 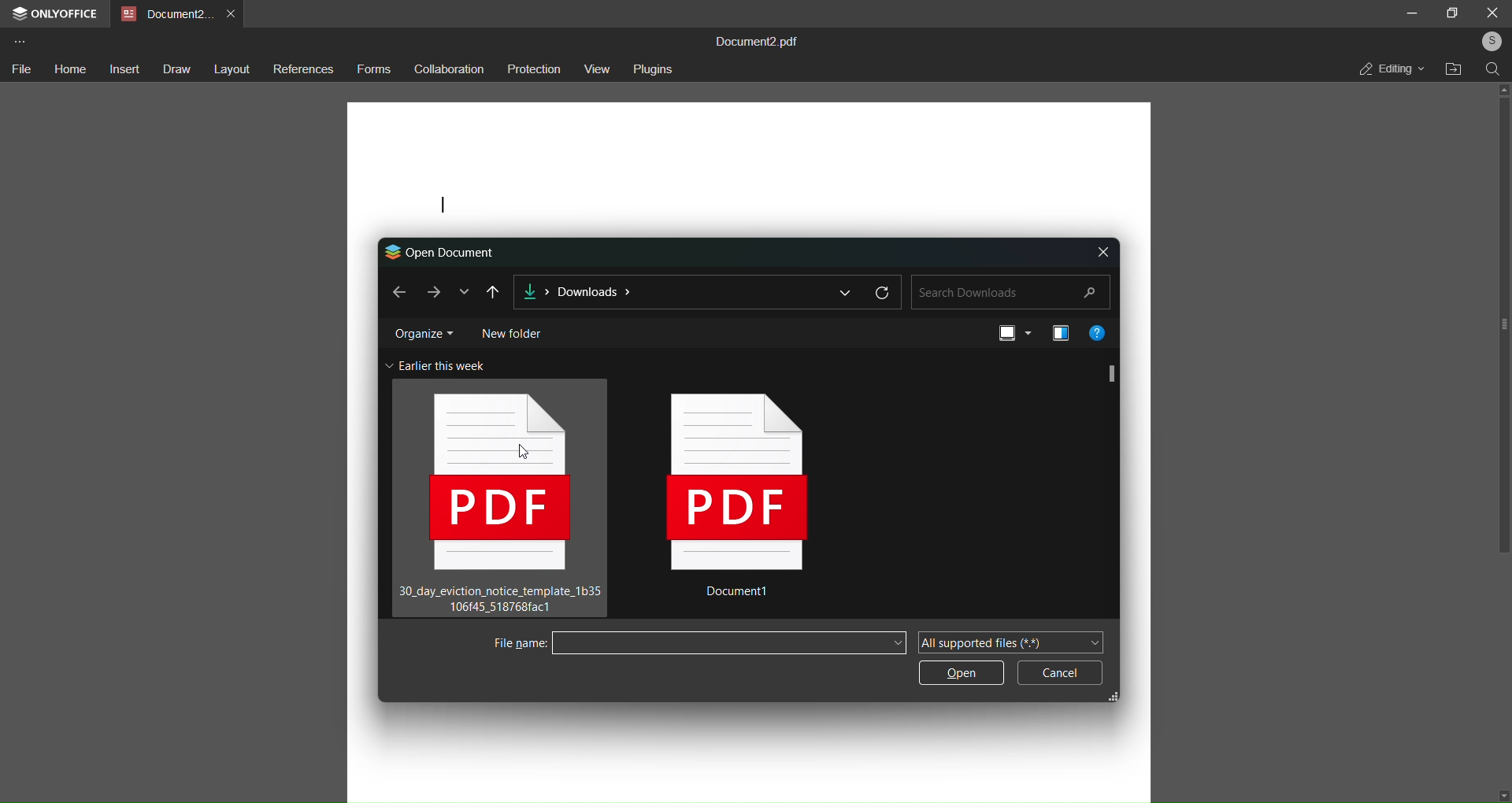 What do you see at coordinates (511, 331) in the screenshot?
I see `new folder` at bounding box center [511, 331].